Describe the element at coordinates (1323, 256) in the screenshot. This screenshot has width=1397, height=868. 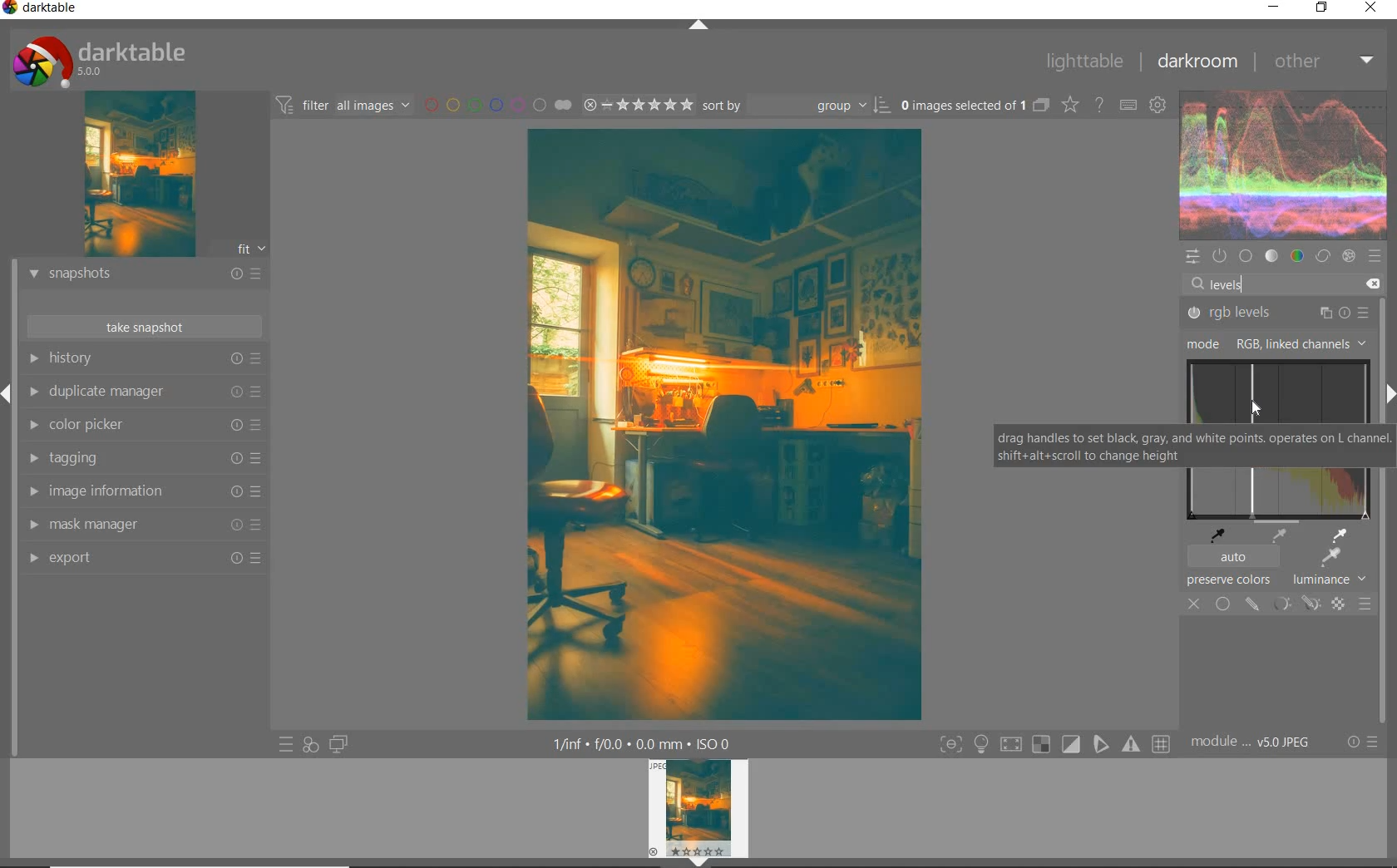
I see `correct` at that location.